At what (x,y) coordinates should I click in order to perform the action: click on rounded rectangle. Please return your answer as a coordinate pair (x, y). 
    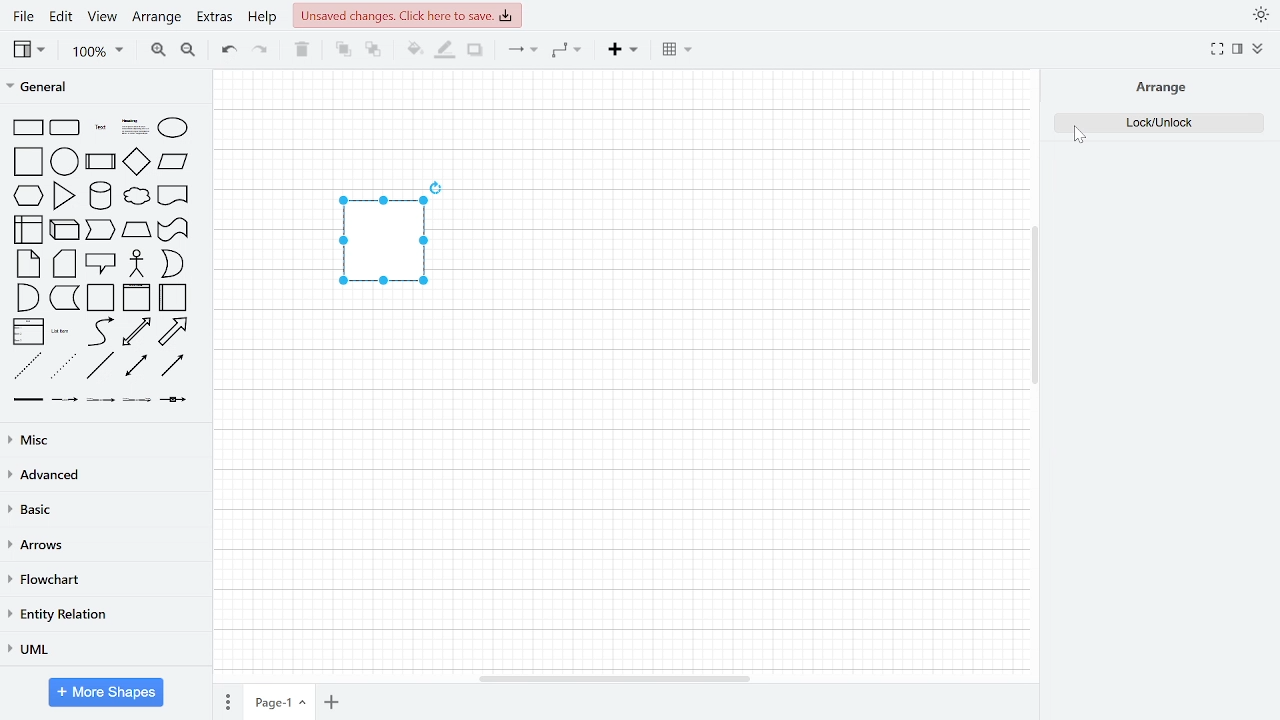
    Looking at the image, I should click on (66, 128).